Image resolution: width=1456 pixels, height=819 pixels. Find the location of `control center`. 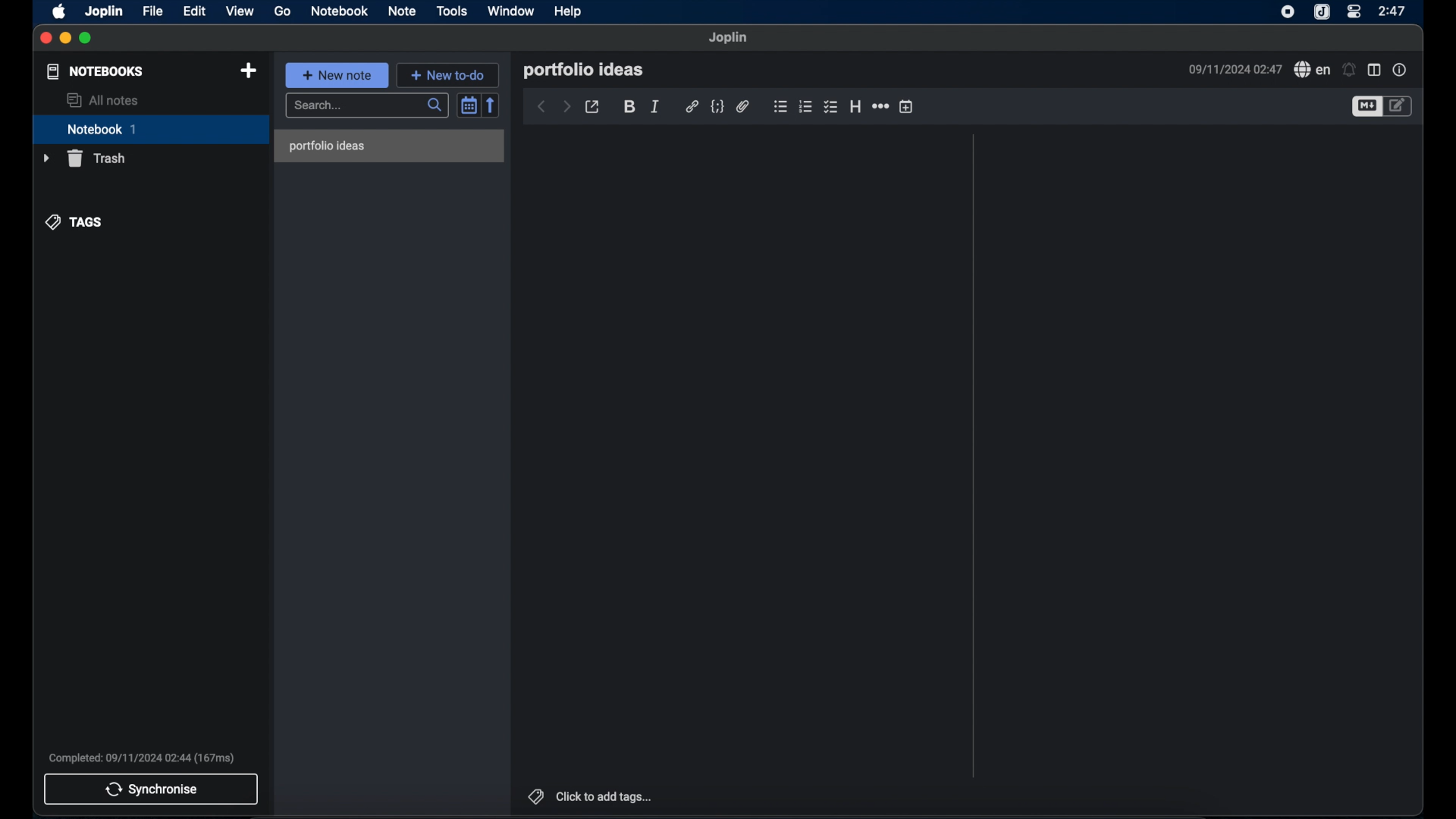

control center is located at coordinates (1355, 11).